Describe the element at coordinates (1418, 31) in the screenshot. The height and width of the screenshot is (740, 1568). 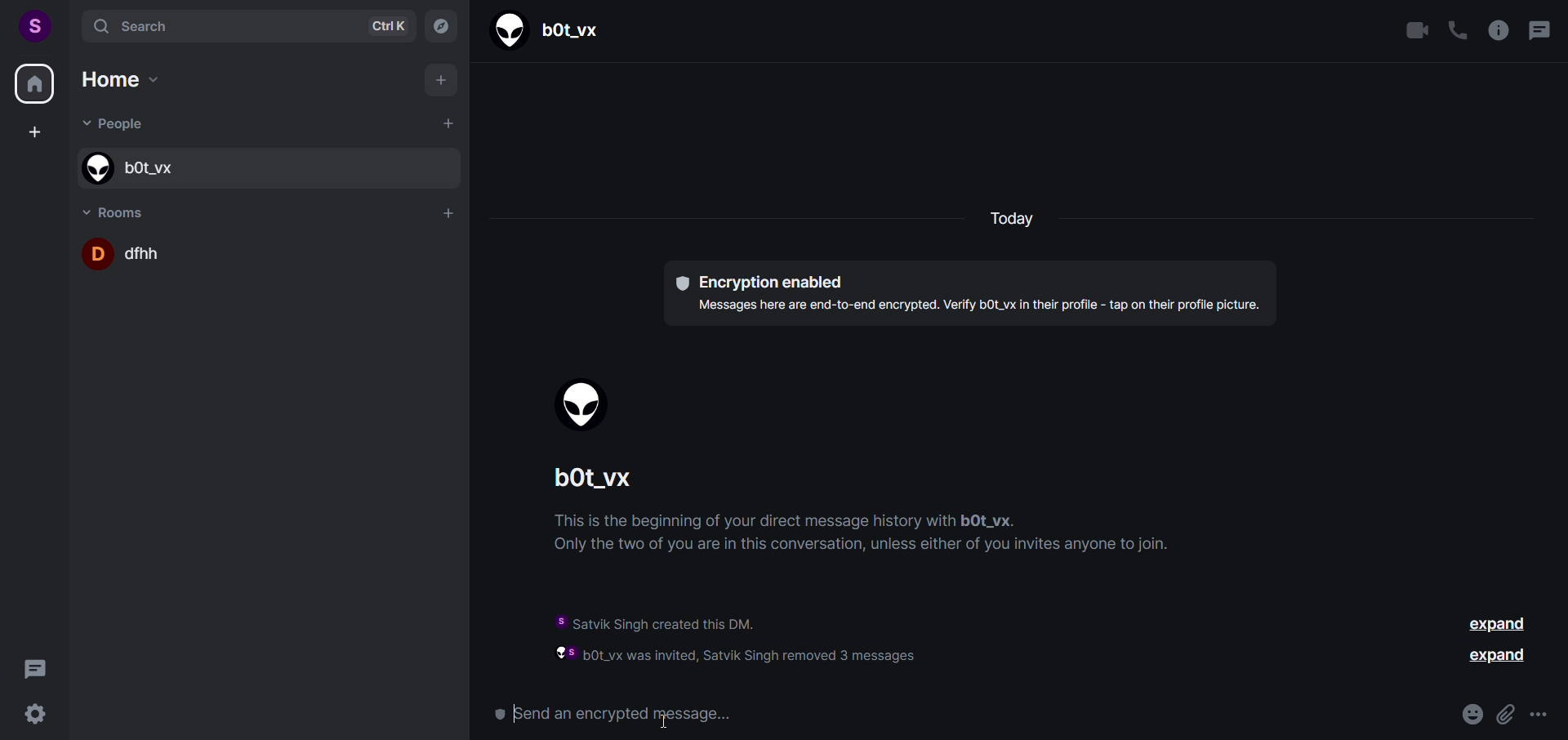
I see `video call` at that location.